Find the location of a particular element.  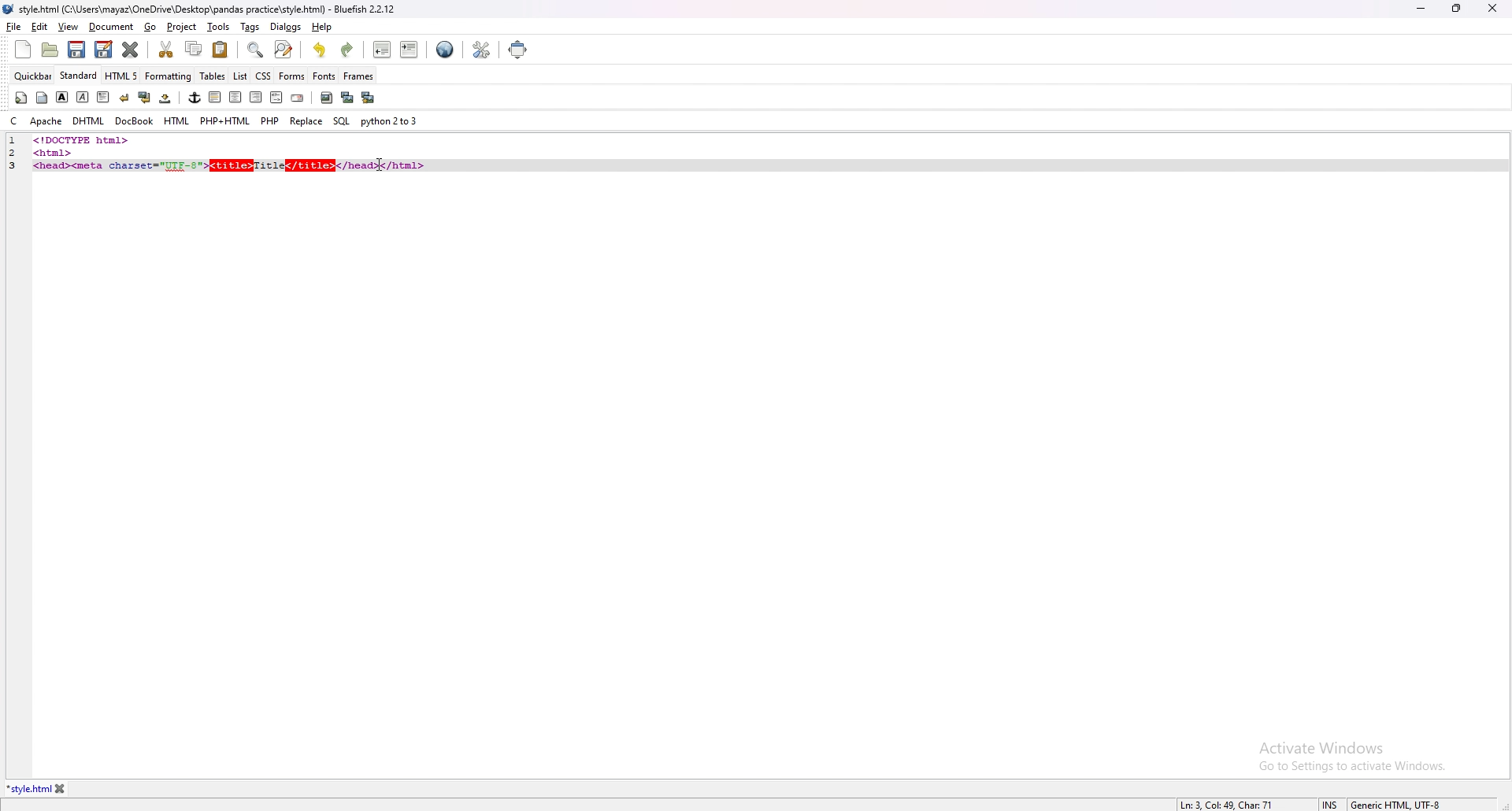

tools is located at coordinates (219, 27).